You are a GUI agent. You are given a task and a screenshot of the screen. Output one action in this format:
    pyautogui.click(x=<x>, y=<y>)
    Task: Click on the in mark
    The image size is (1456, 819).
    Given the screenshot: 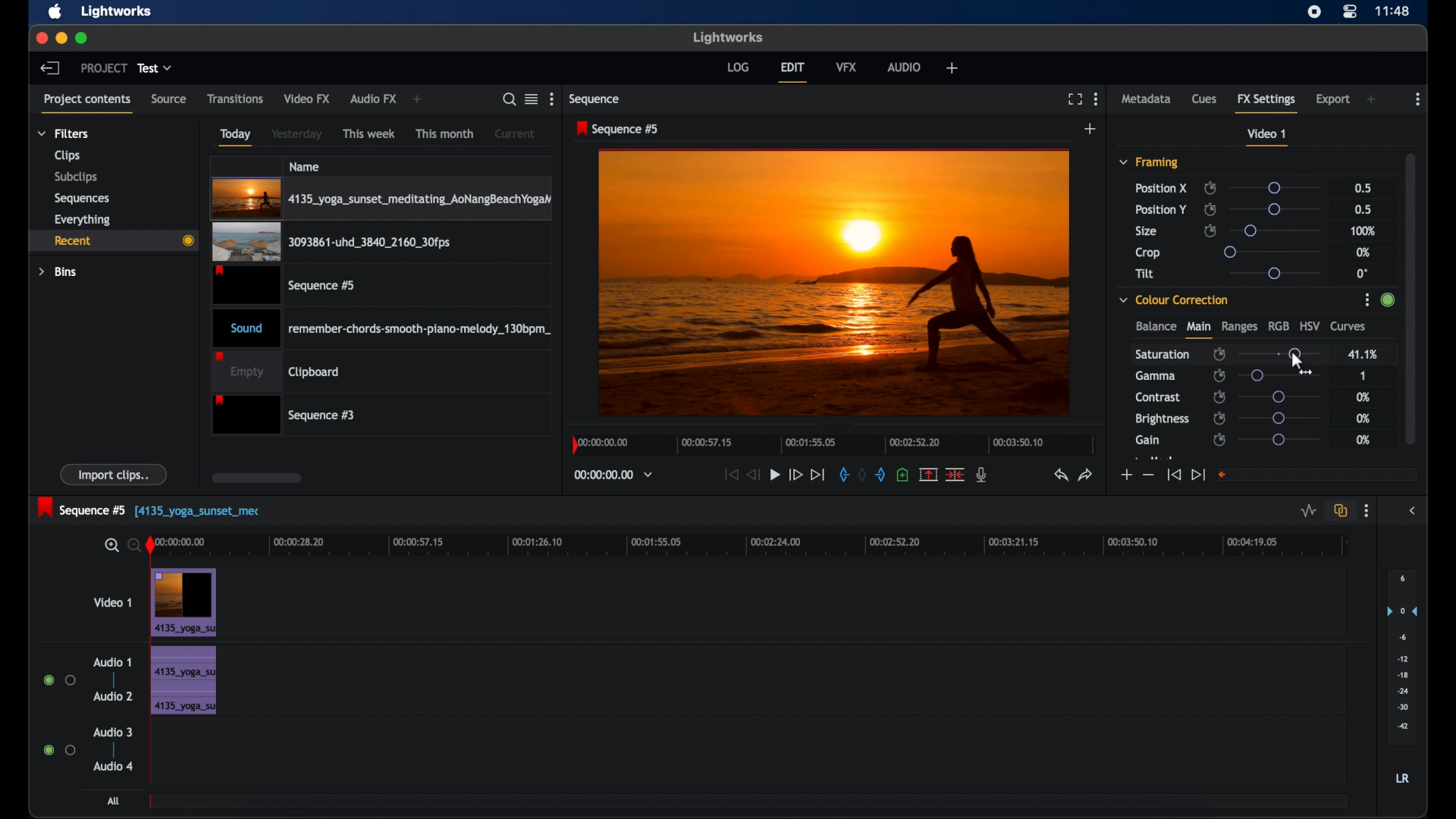 What is the action you would take?
    pyautogui.click(x=843, y=474)
    